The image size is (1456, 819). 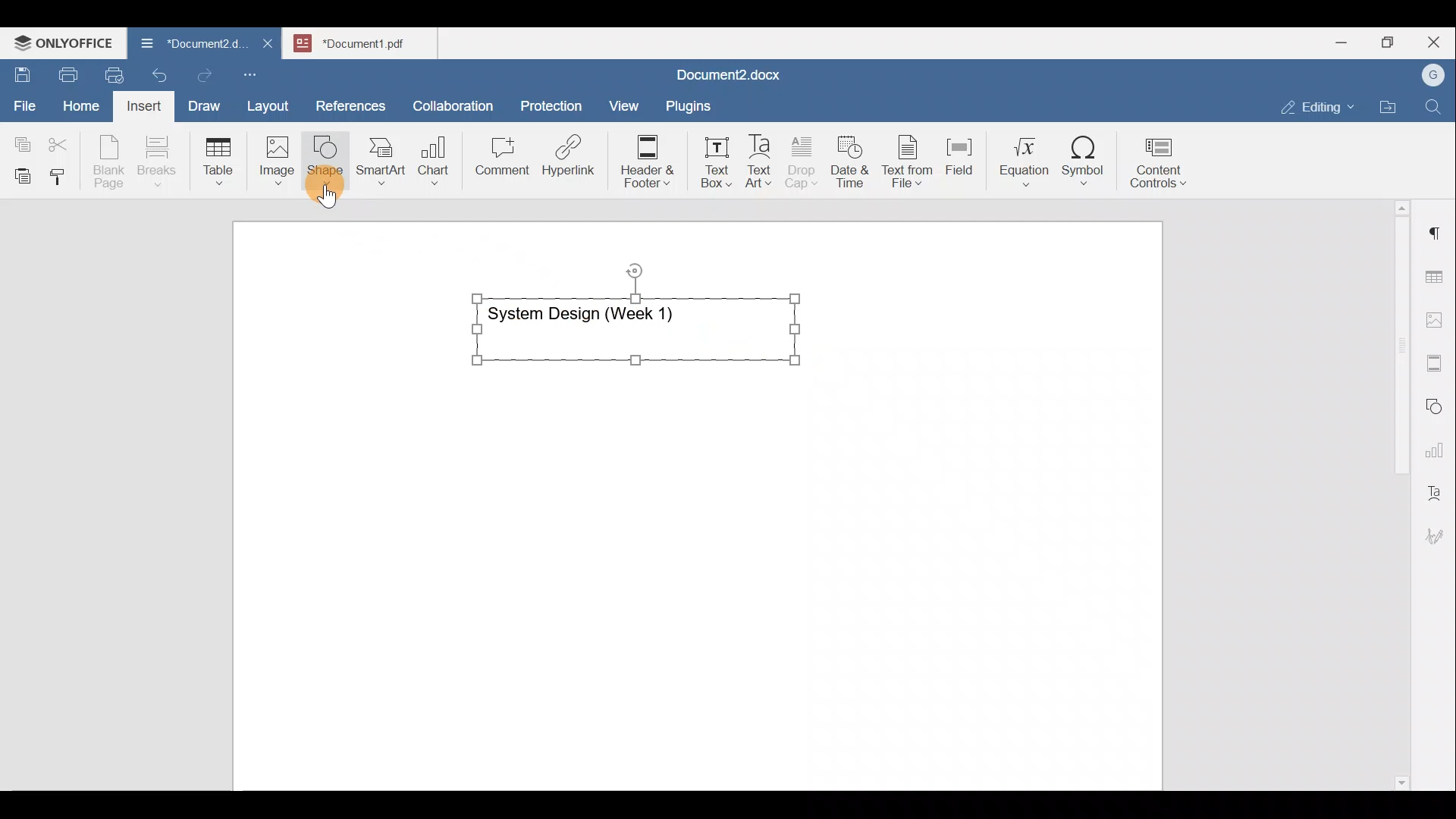 I want to click on Find, so click(x=1435, y=108).